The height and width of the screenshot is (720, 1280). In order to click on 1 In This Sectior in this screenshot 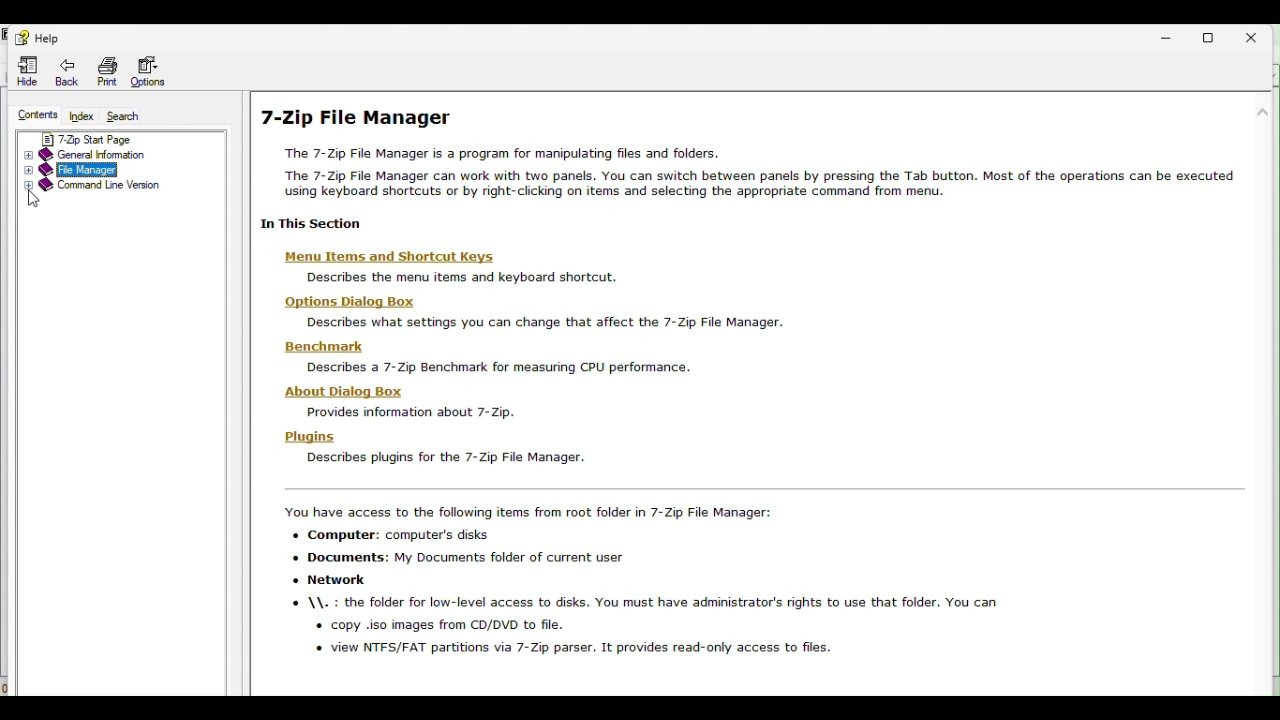, I will do `click(314, 223)`.